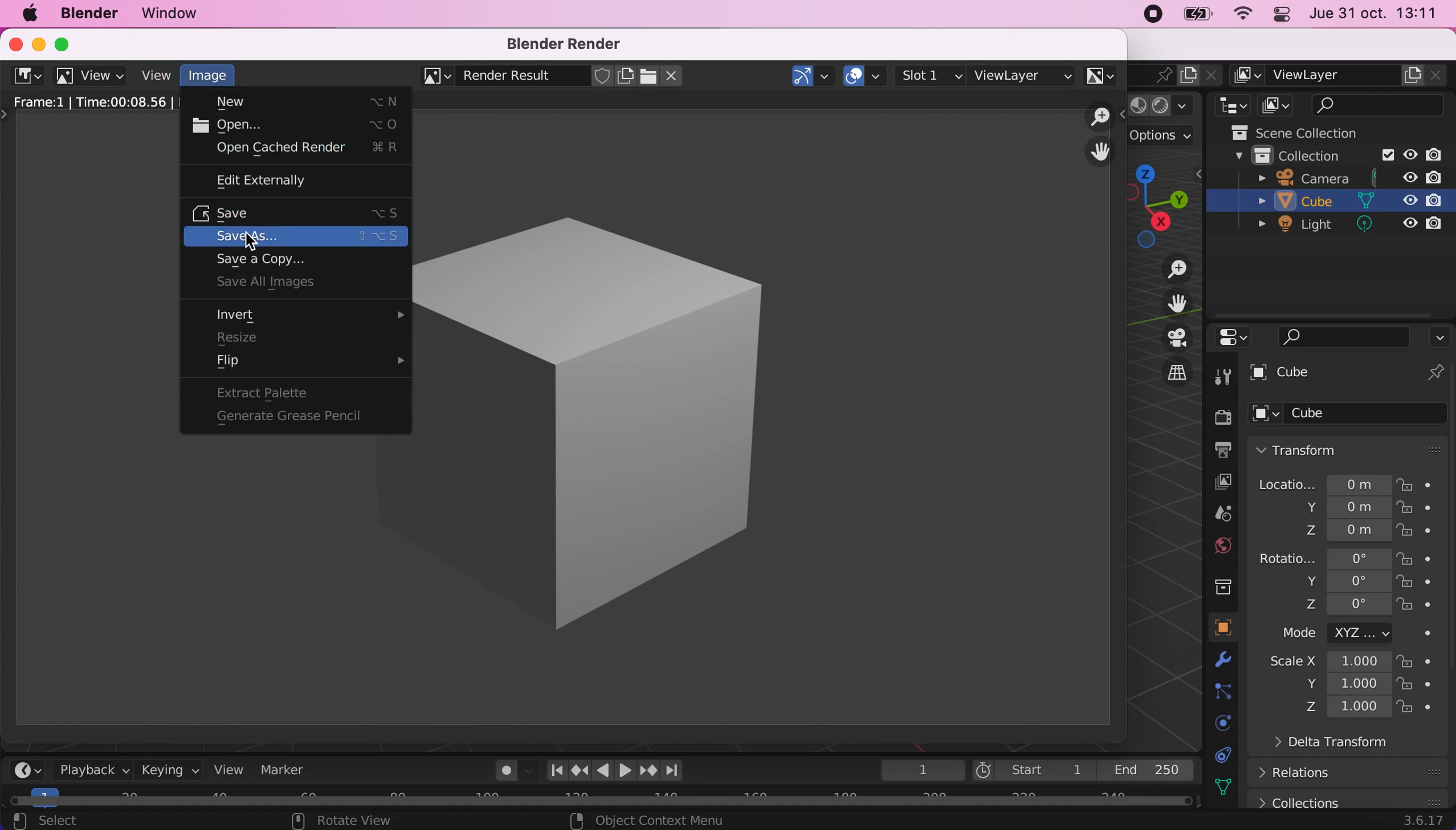 Image resolution: width=1456 pixels, height=830 pixels. I want to click on auto keying, so click(505, 773).